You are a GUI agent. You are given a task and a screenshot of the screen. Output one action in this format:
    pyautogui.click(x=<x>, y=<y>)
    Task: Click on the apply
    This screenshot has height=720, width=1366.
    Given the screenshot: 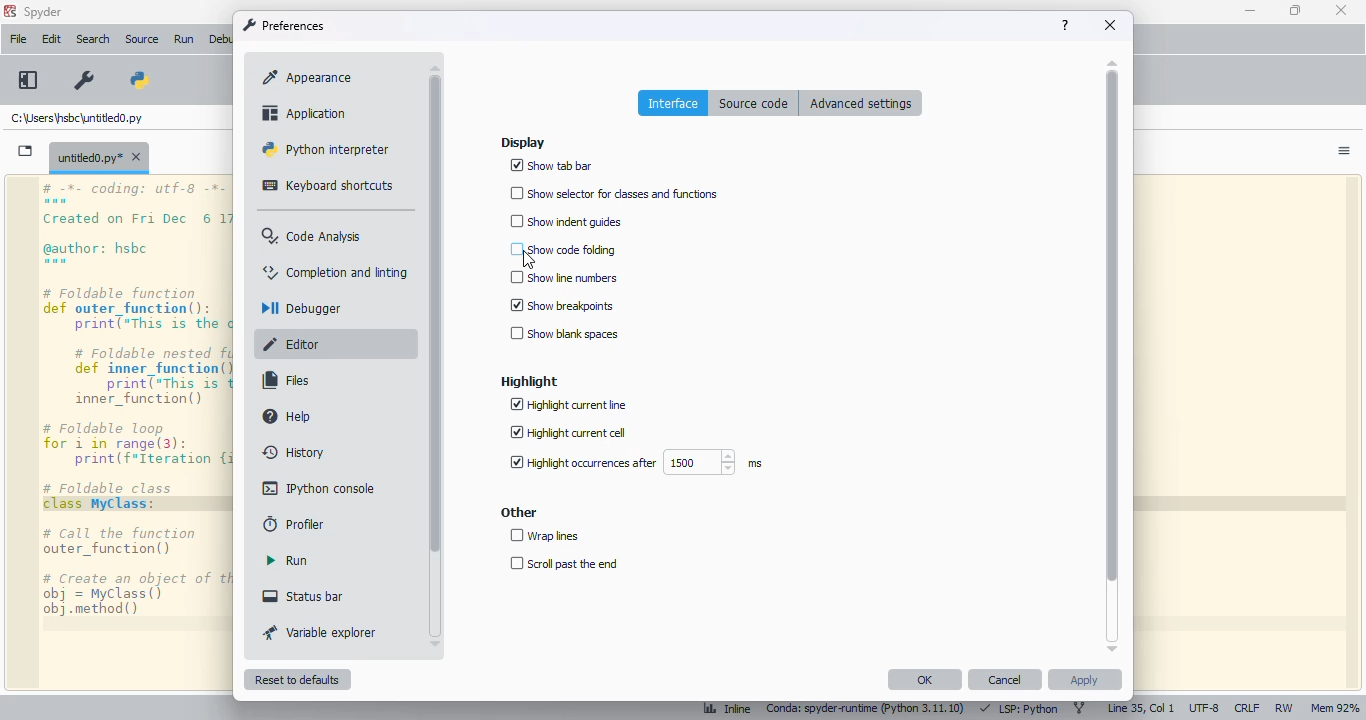 What is the action you would take?
    pyautogui.click(x=1084, y=679)
    